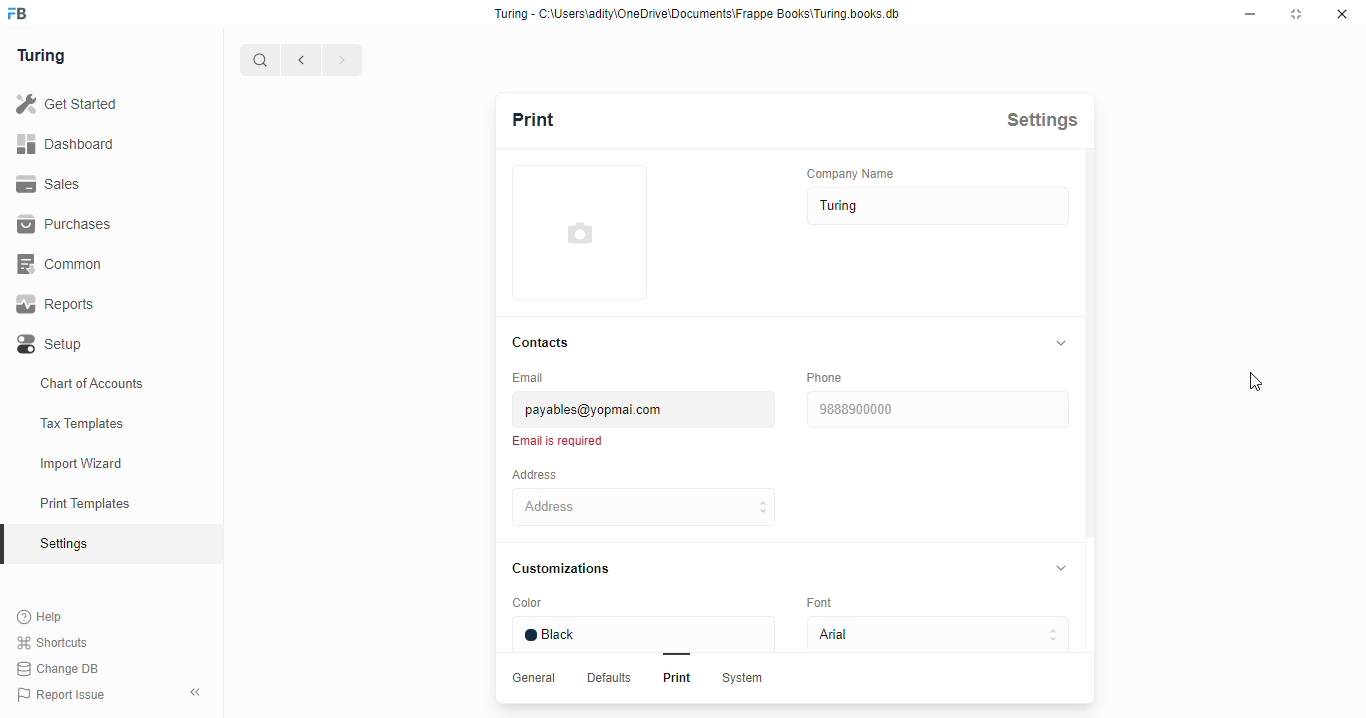 The width and height of the screenshot is (1366, 718). I want to click on go back, so click(301, 58).